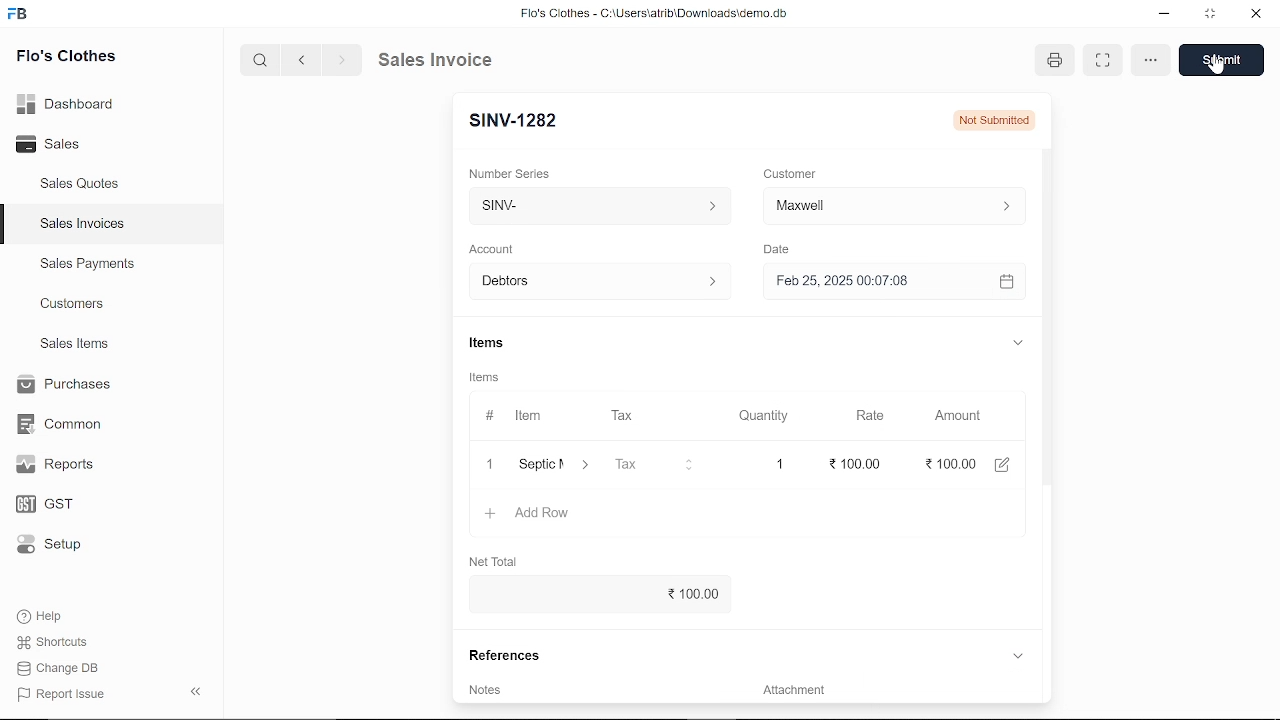 This screenshot has width=1280, height=720. Describe the element at coordinates (1050, 325) in the screenshot. I see `vertical scrollbar` at that location.